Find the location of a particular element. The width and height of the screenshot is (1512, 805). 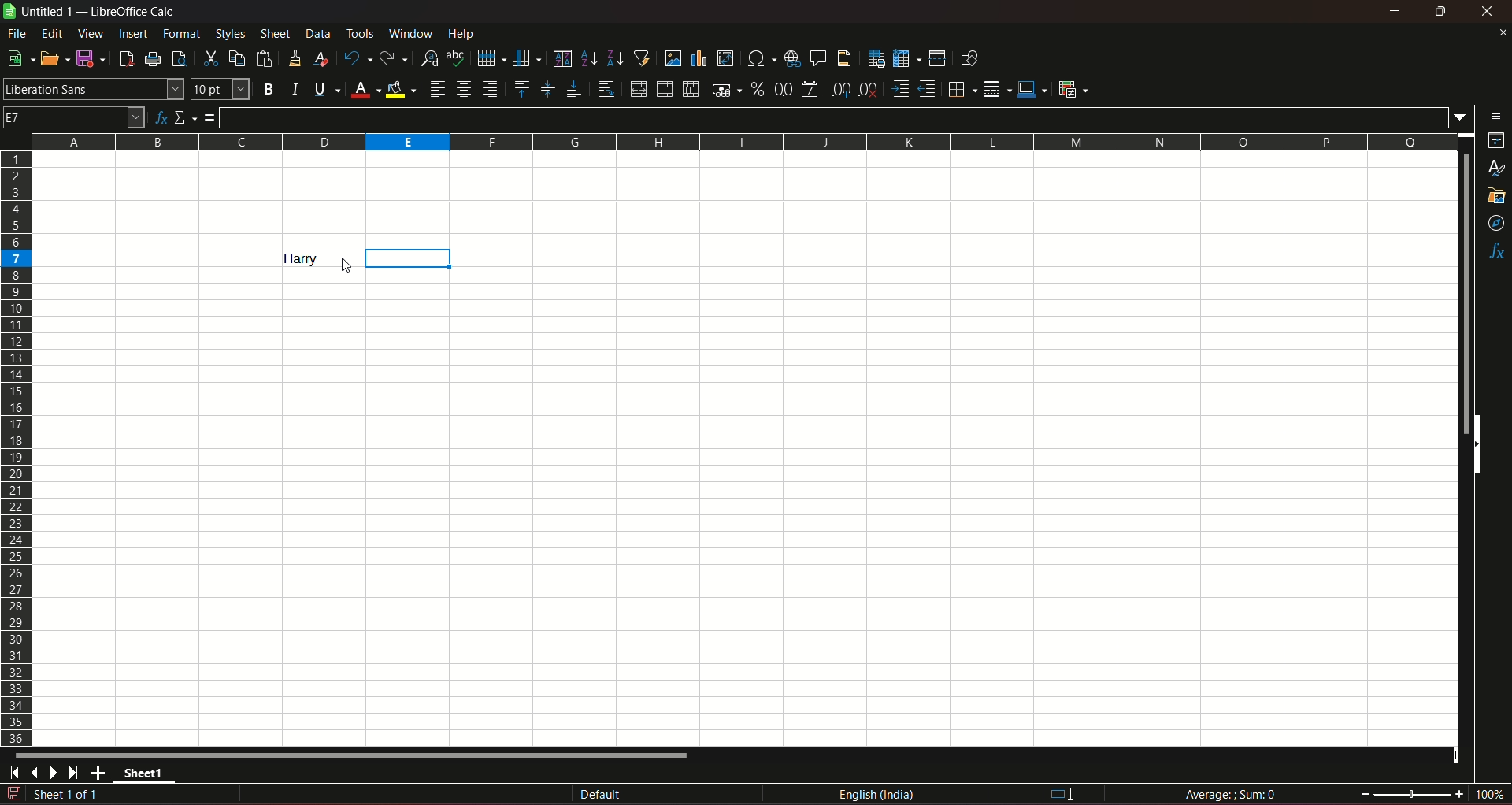

edit is located at coordinates (53, 33).